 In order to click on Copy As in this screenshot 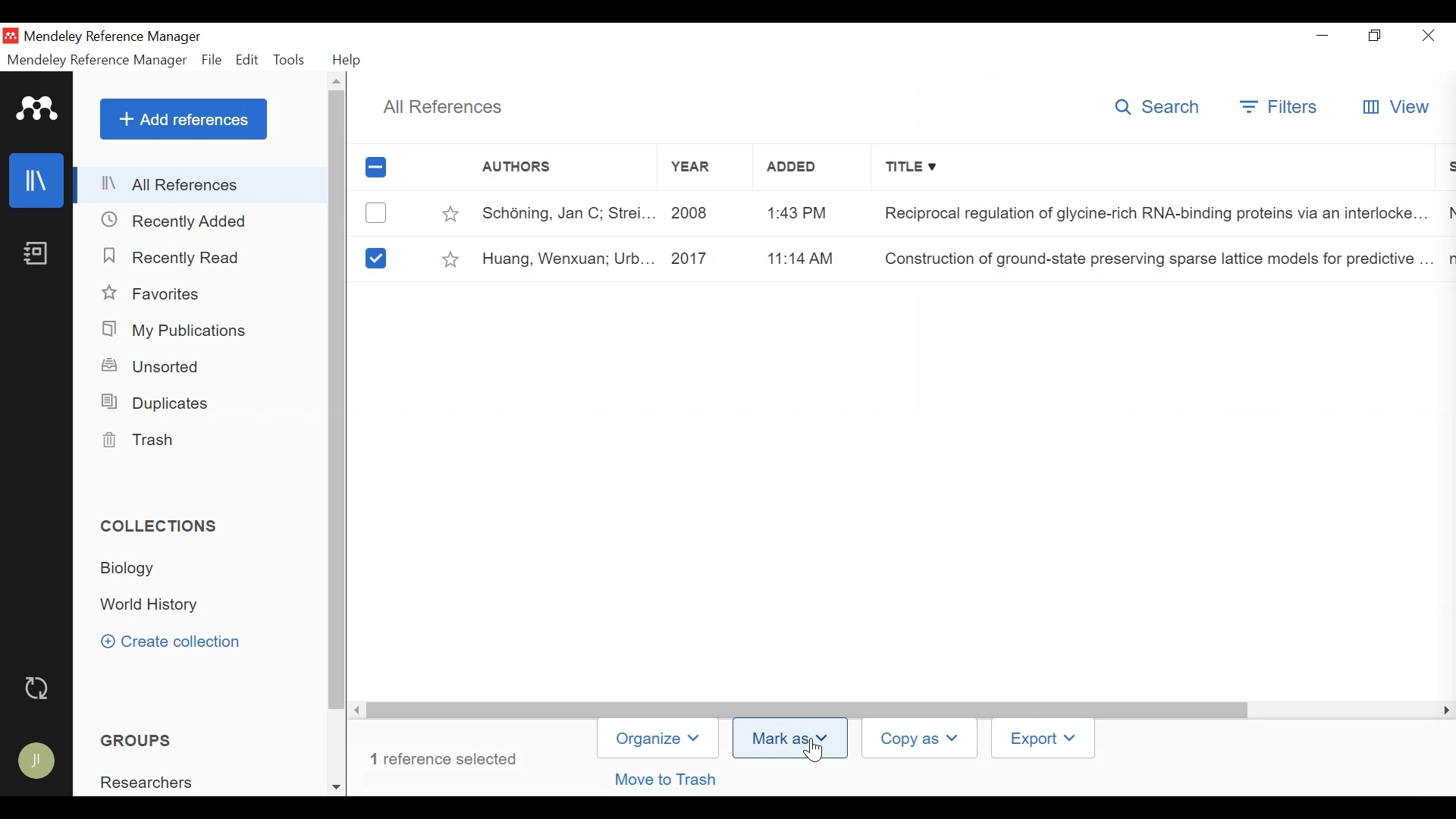, I will do `click(918, 739)`.